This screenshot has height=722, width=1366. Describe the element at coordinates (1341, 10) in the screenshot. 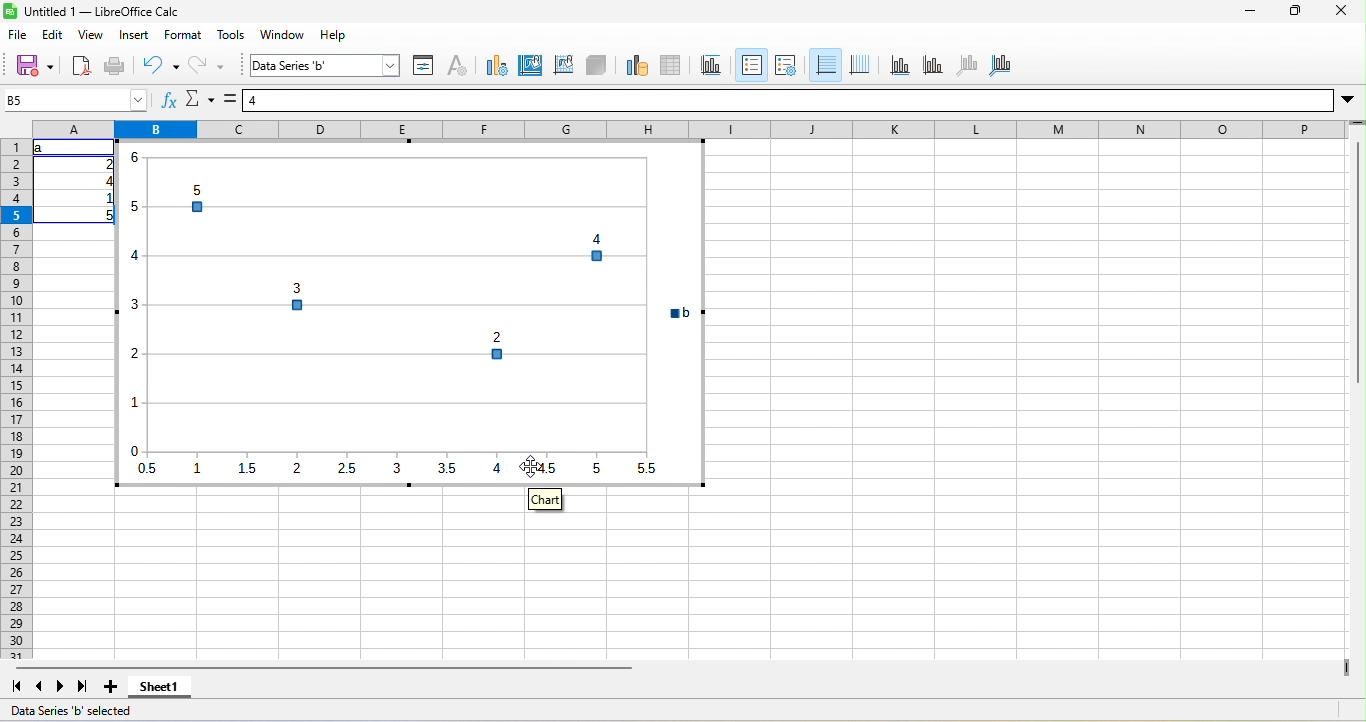

I see `close` at that location.